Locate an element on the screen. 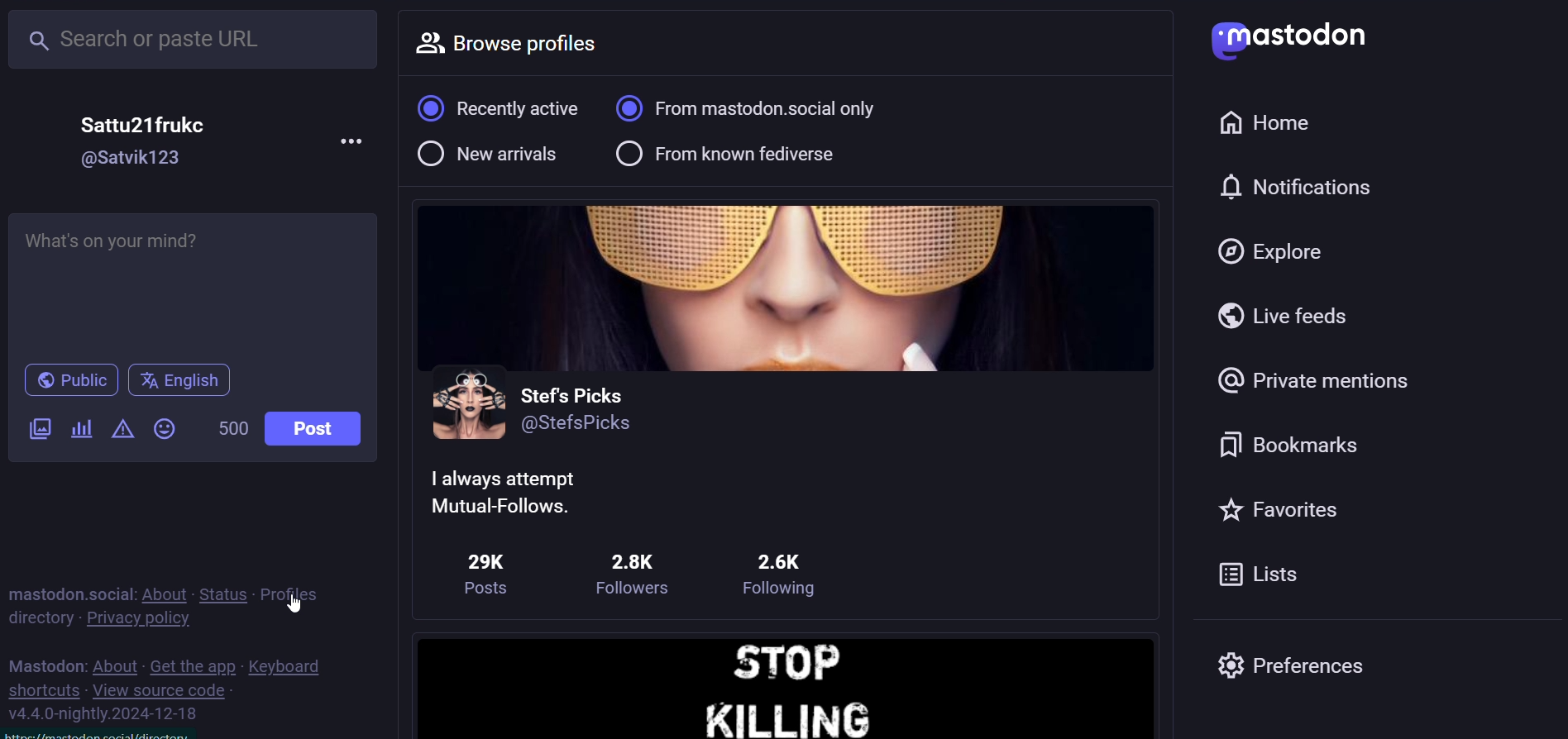 The height and width of the screenshot is (739, 1568). logo is located at coordinates (1289, 36).